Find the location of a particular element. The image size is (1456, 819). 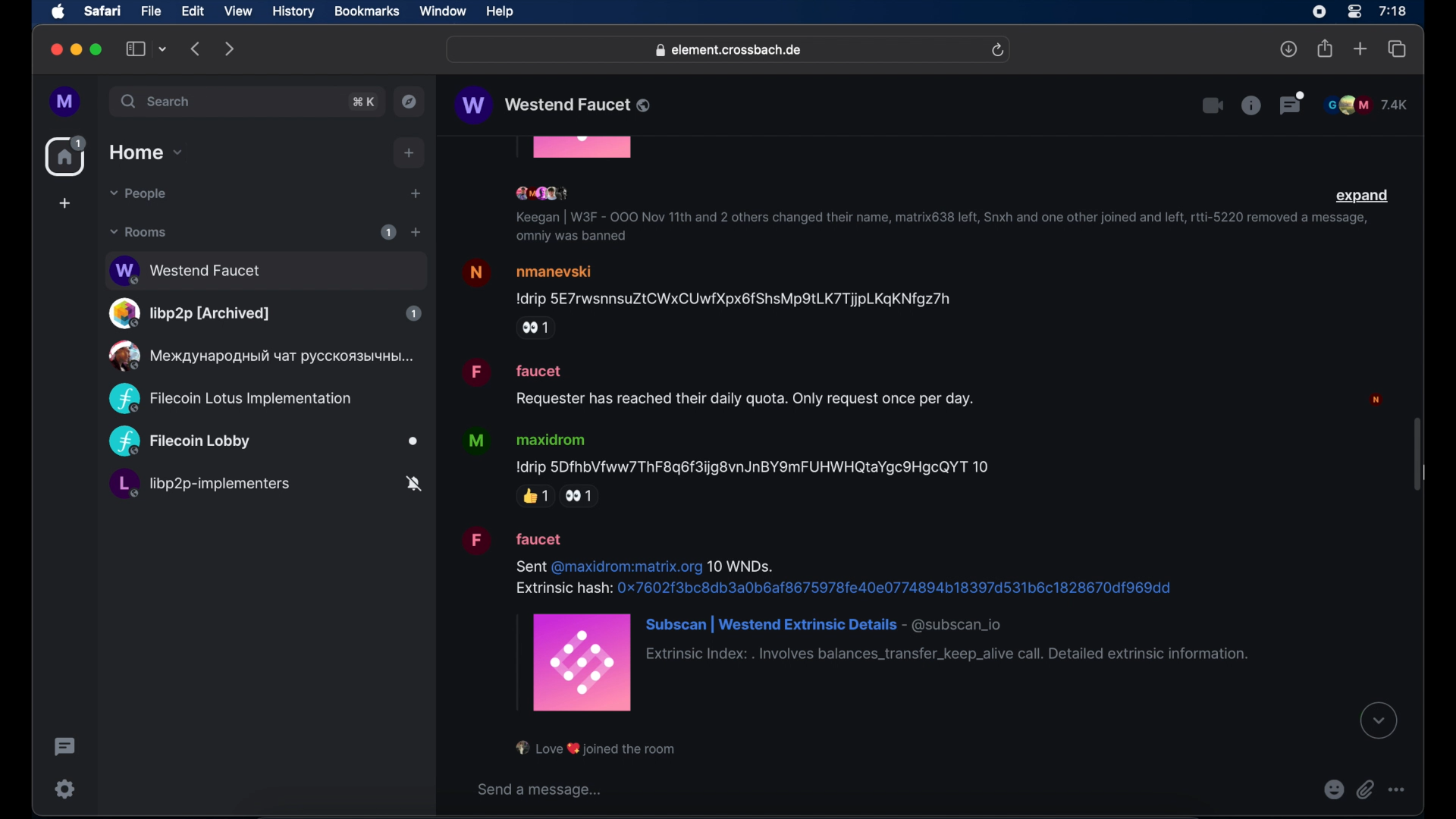

forward is located at coordinates (230, 49).